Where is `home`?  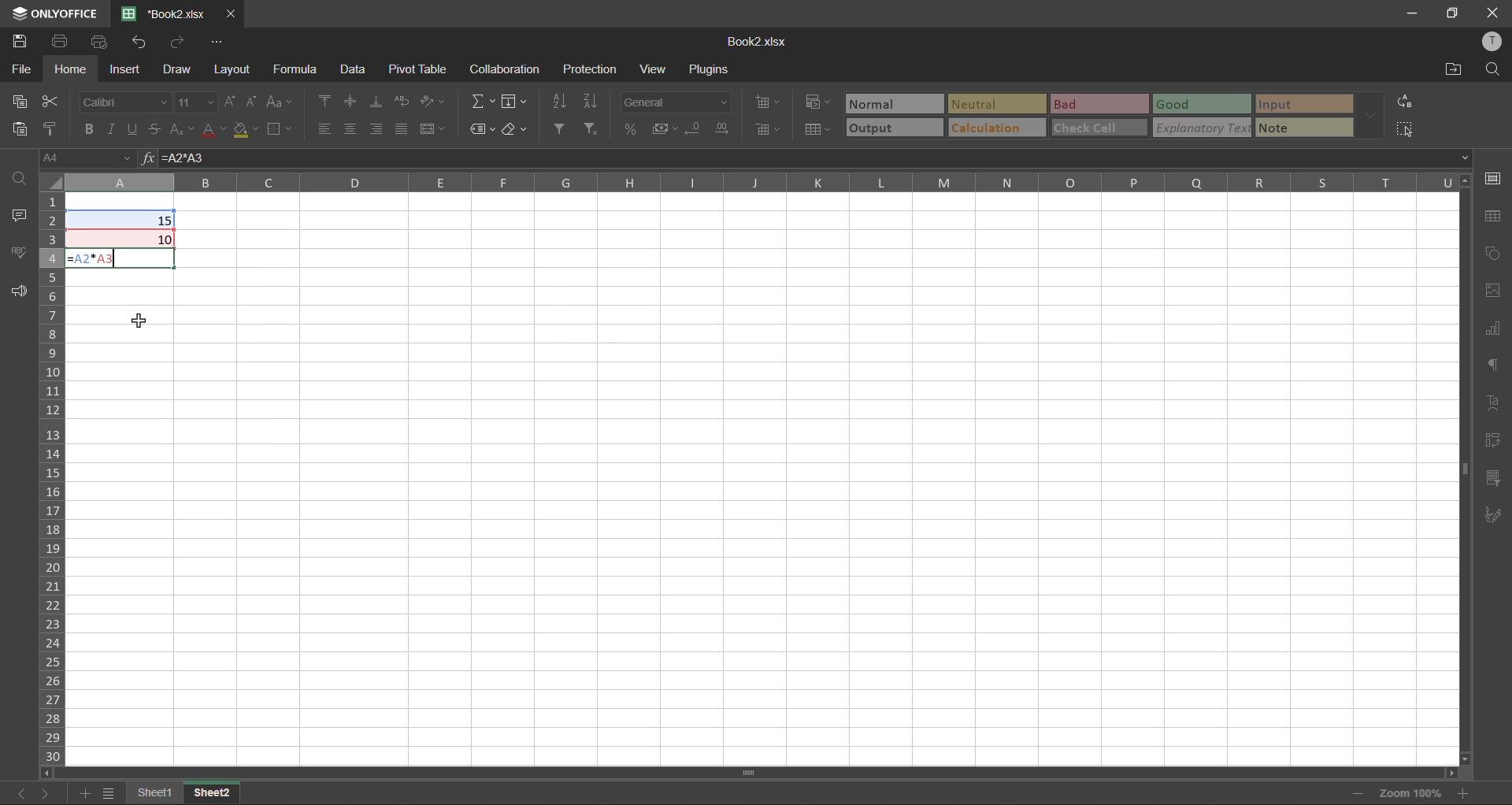 home is located at coordinates (71, 69).